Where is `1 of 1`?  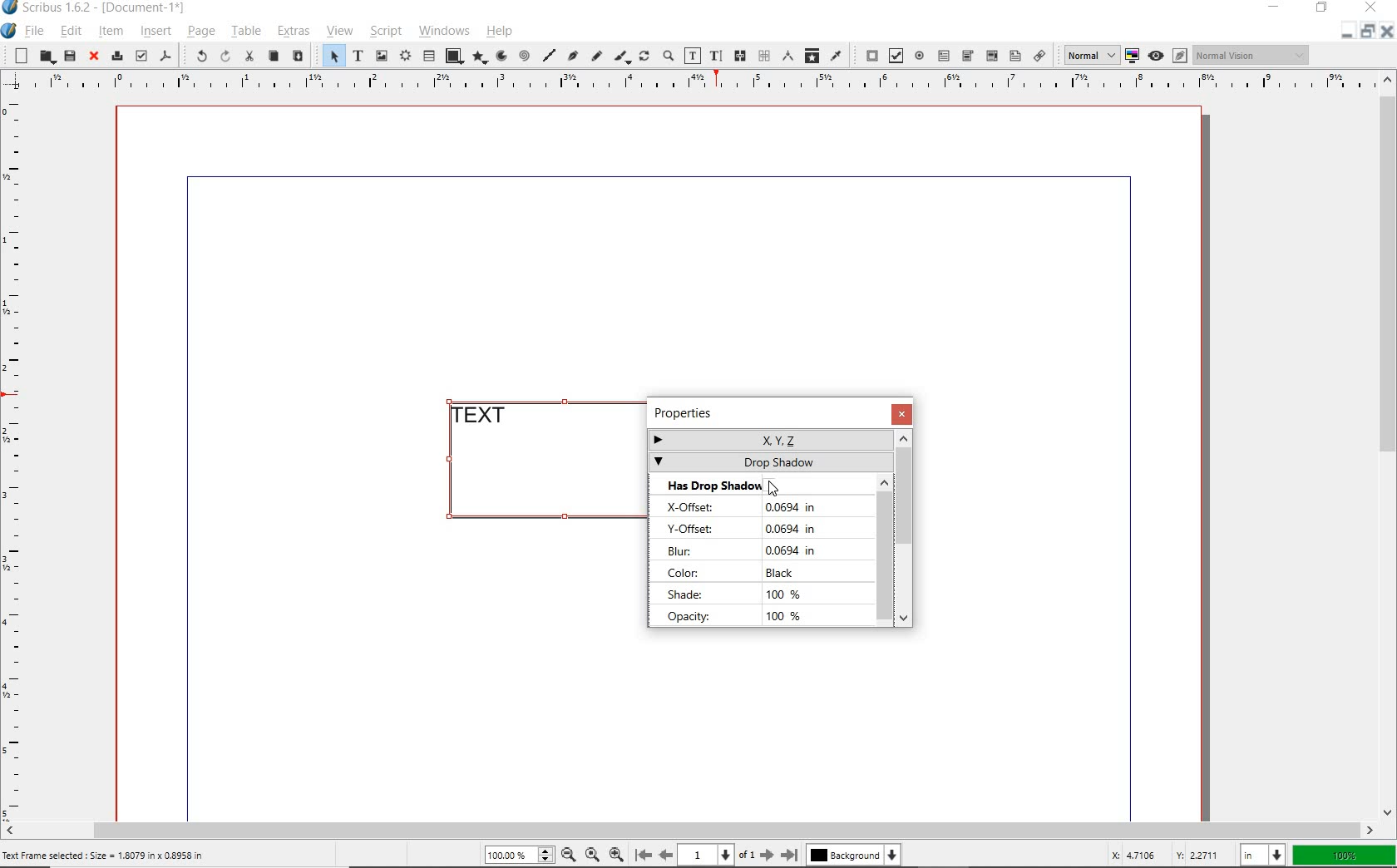 1 of 1 is located at coordinates (719, 856).